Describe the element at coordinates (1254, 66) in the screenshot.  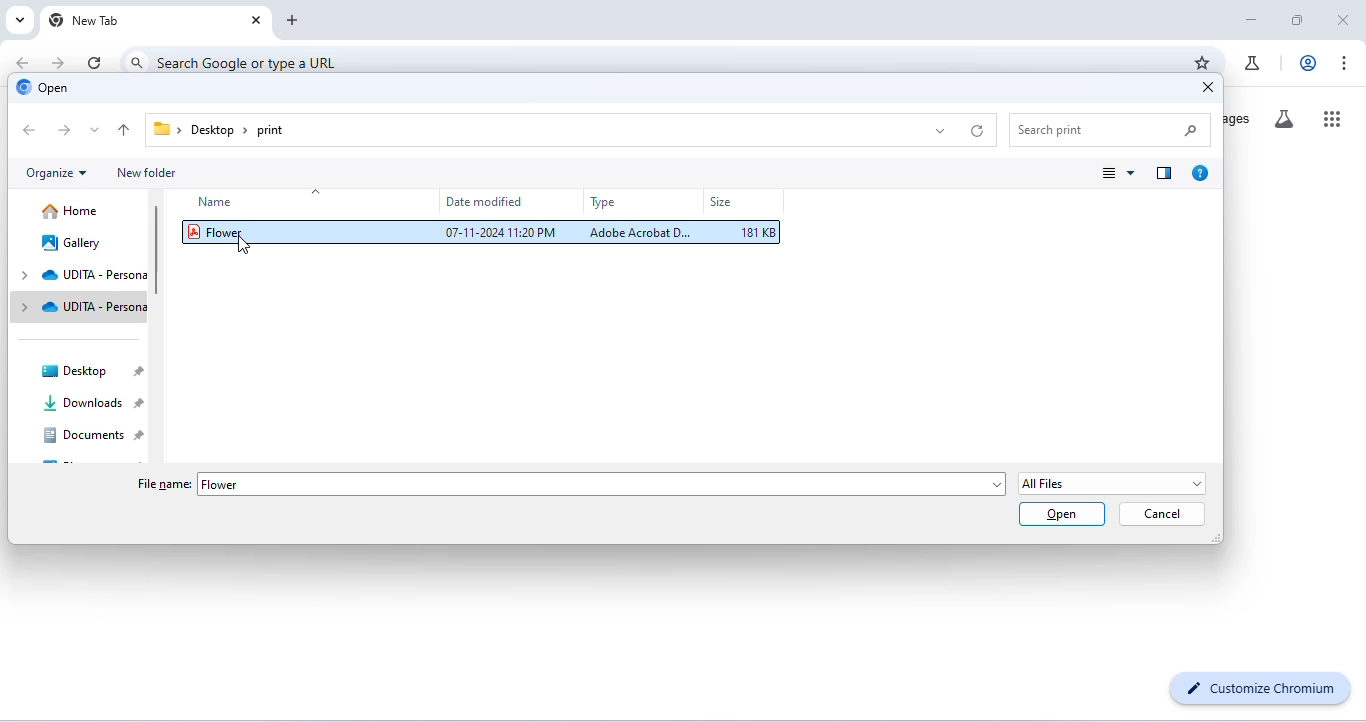
I see `chrome labs` at that location.